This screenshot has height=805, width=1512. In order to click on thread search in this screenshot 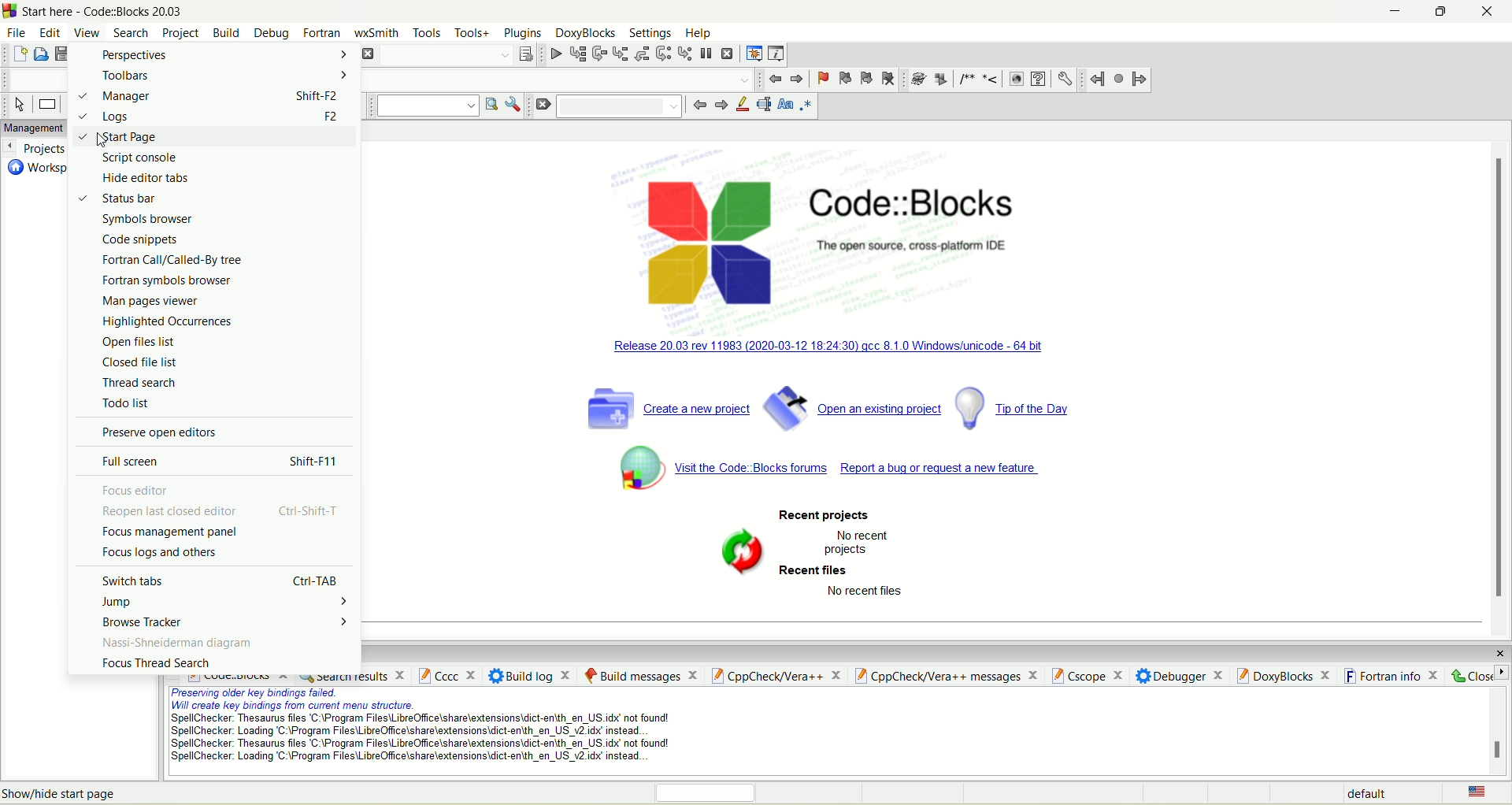, I will do `click(139, 382)`.